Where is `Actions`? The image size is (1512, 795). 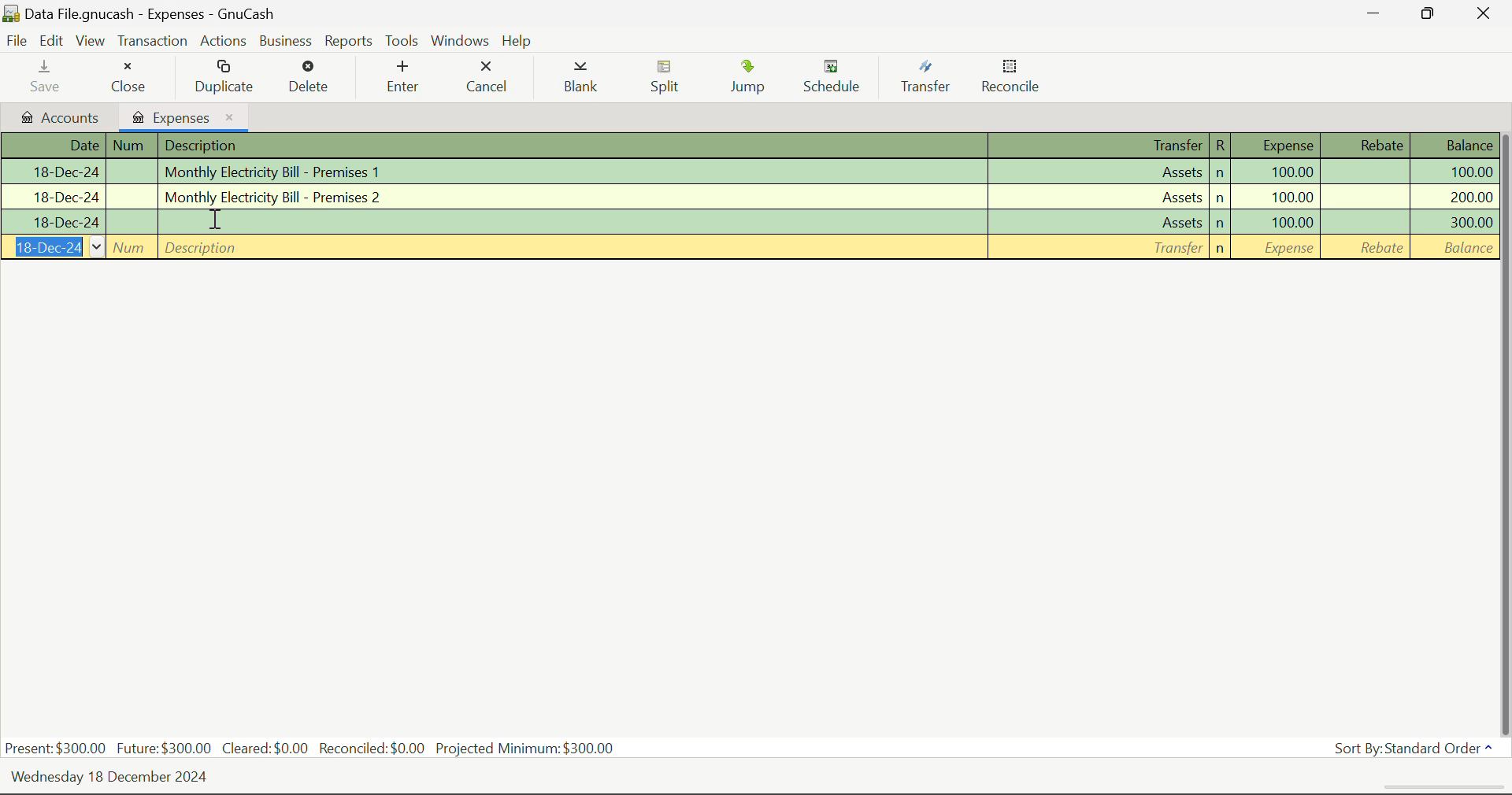
Actions is located at coordinates (223, 41).